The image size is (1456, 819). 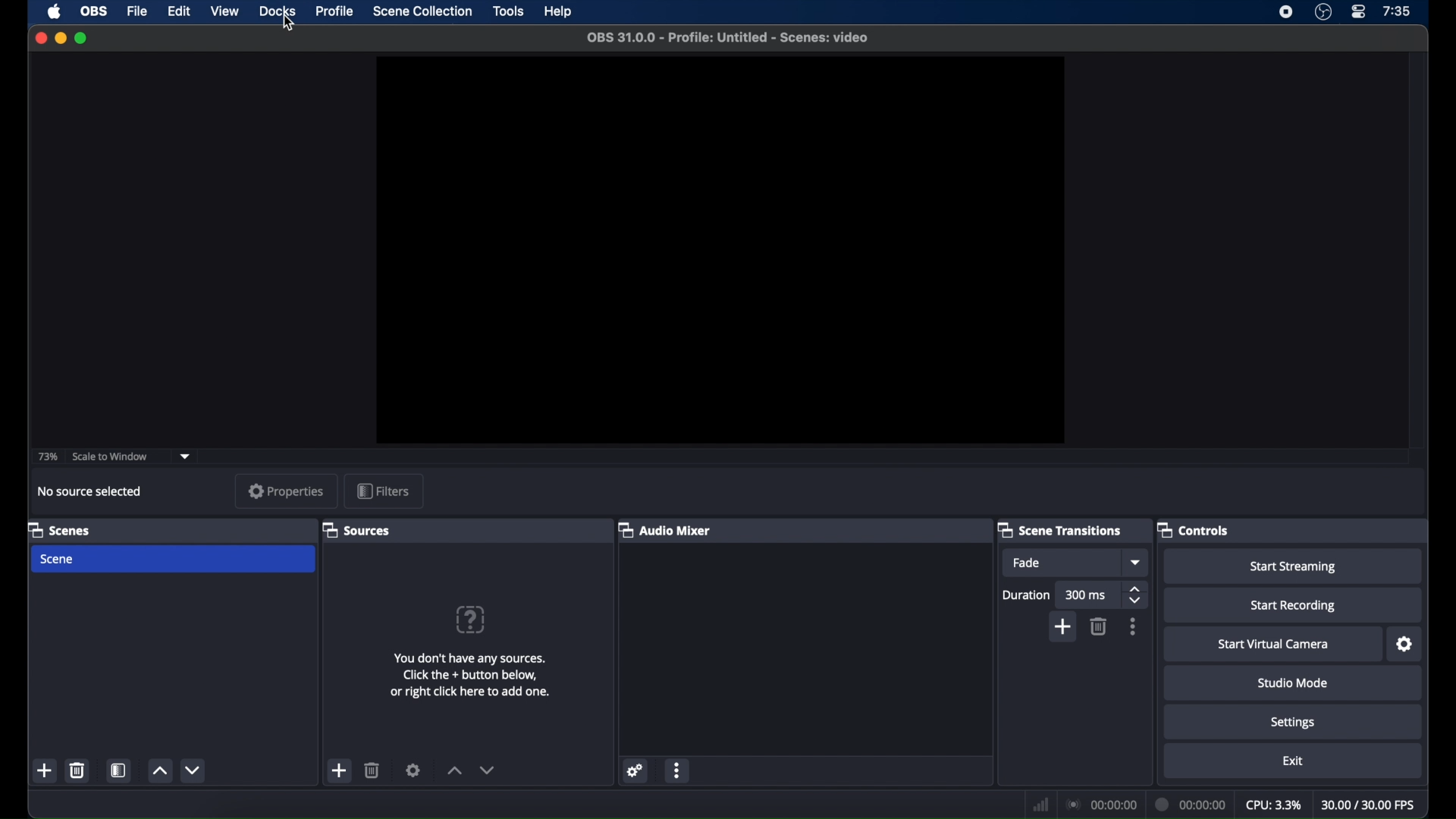 What do you see at coordinates (1133, 627) in the screenshot?
I see `more options` at bounding box center [1133, 627].